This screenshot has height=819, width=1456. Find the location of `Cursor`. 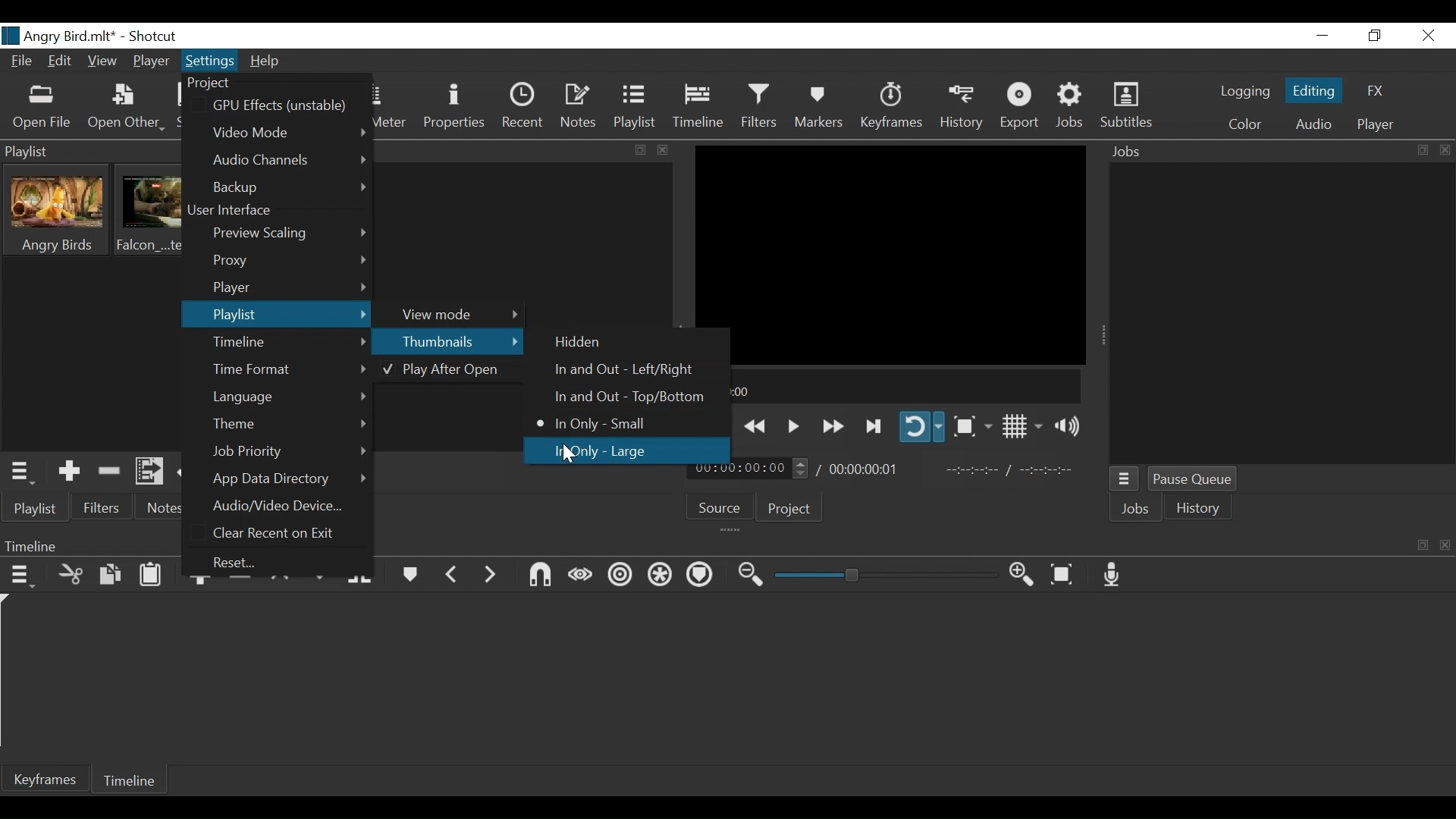

Cursor is located at coordinates (573, 455).